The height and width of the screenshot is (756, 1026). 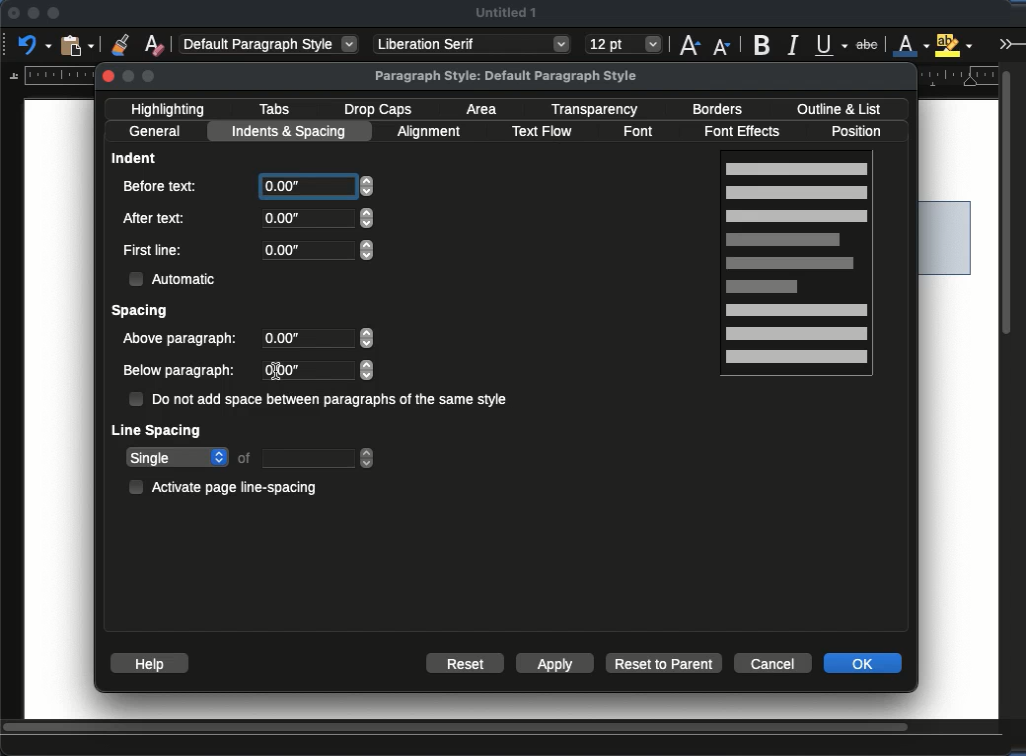 What do you see at coordinates (319, 219) in the screenshot?
I see `0.00` at bounding box center [319, 219].